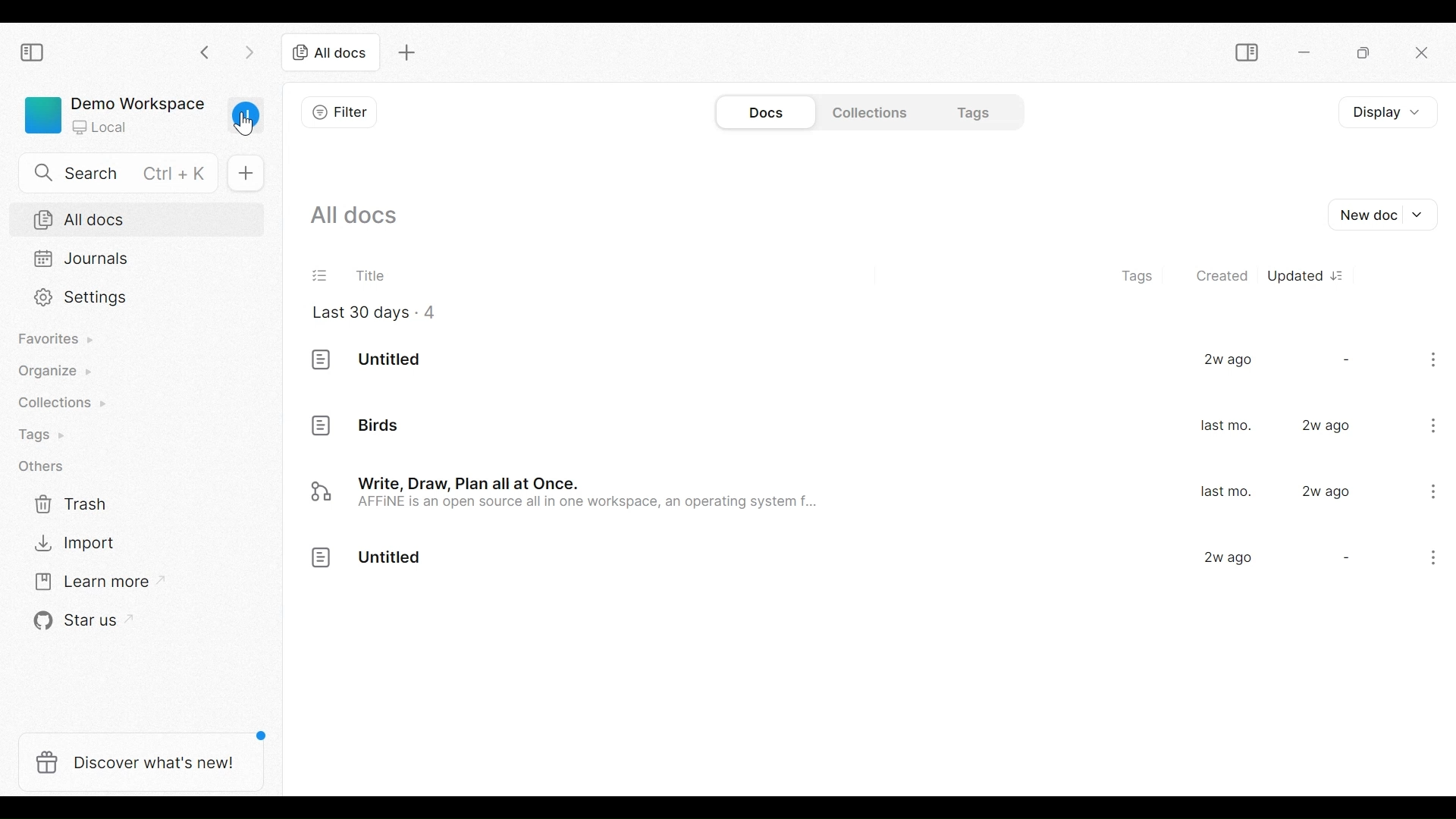 This screenshot has width=1456, height=819. I want to click on Demo workspace, so click(112, 114).